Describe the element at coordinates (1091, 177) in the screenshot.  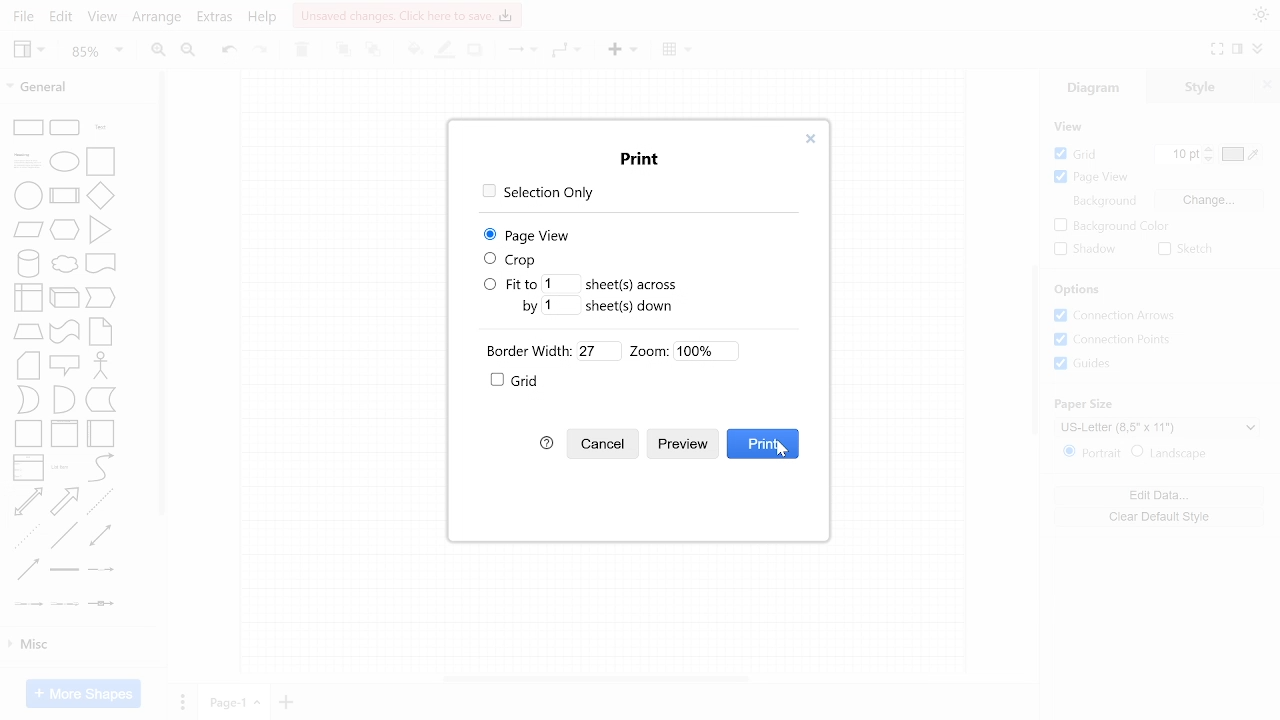
I see `Page view` at that location.